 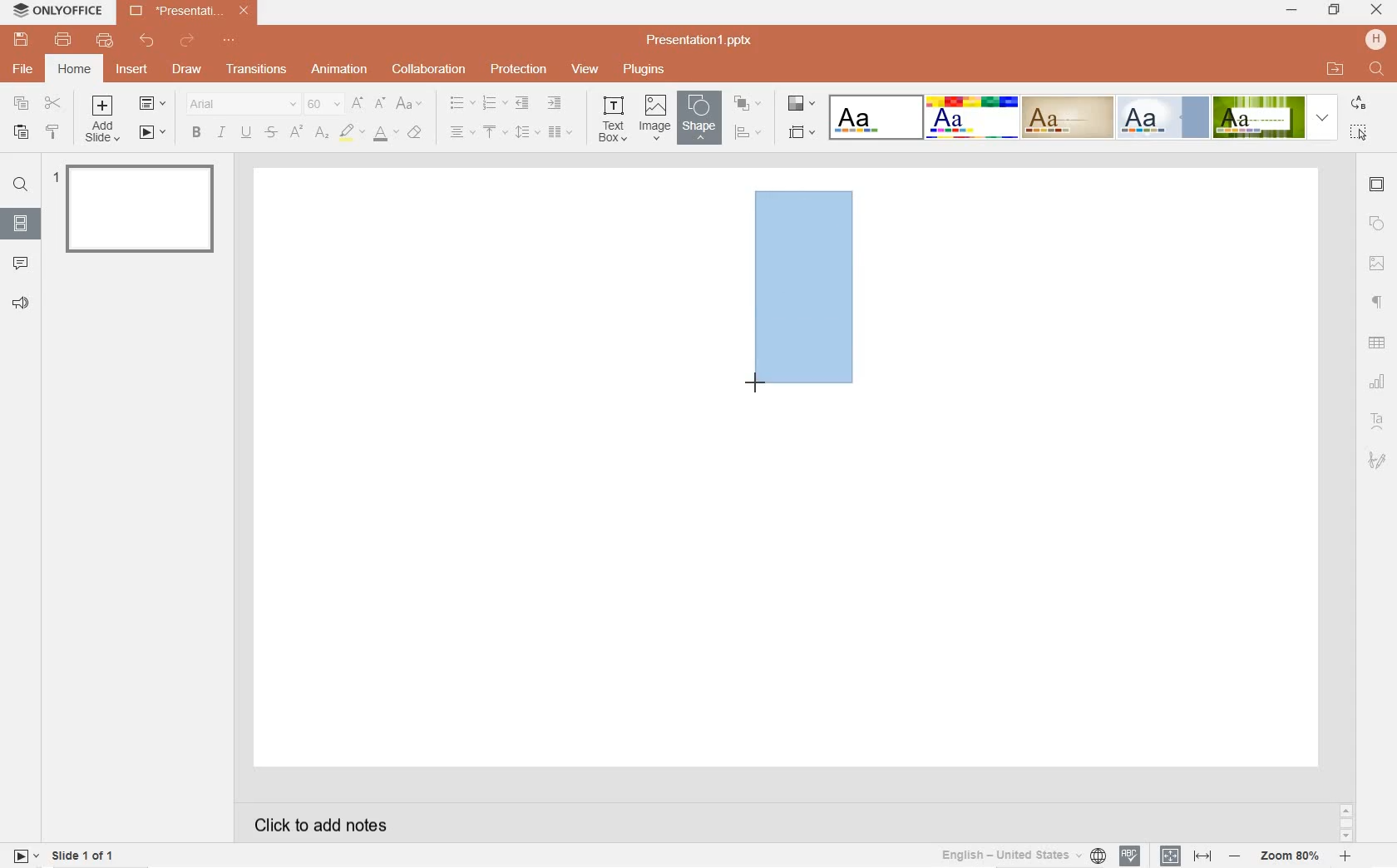 I want to click on collaboration, so click(x=430, y=69).